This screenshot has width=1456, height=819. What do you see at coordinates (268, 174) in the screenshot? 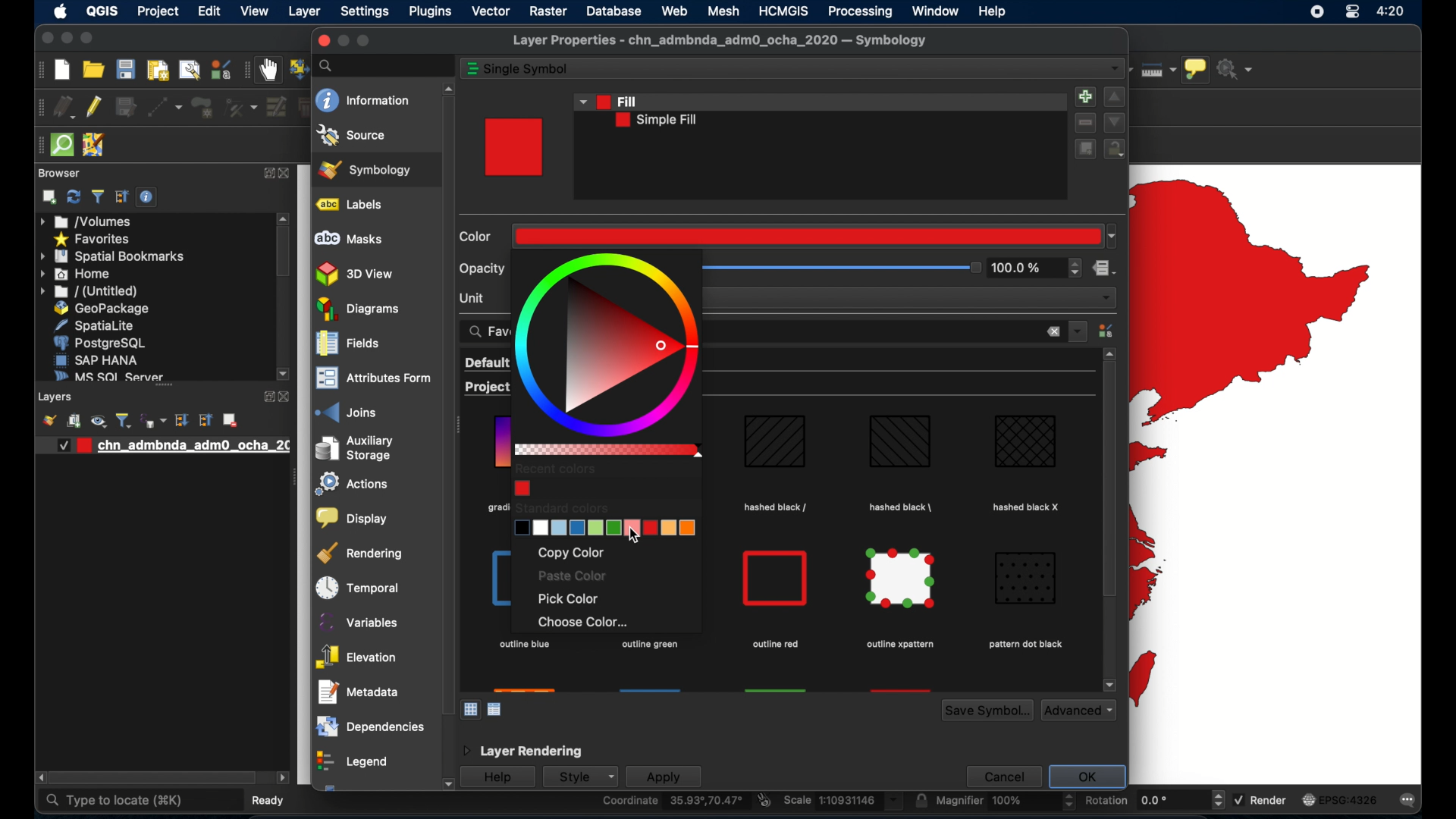
I see `expand` at bounding box center [268, 174].